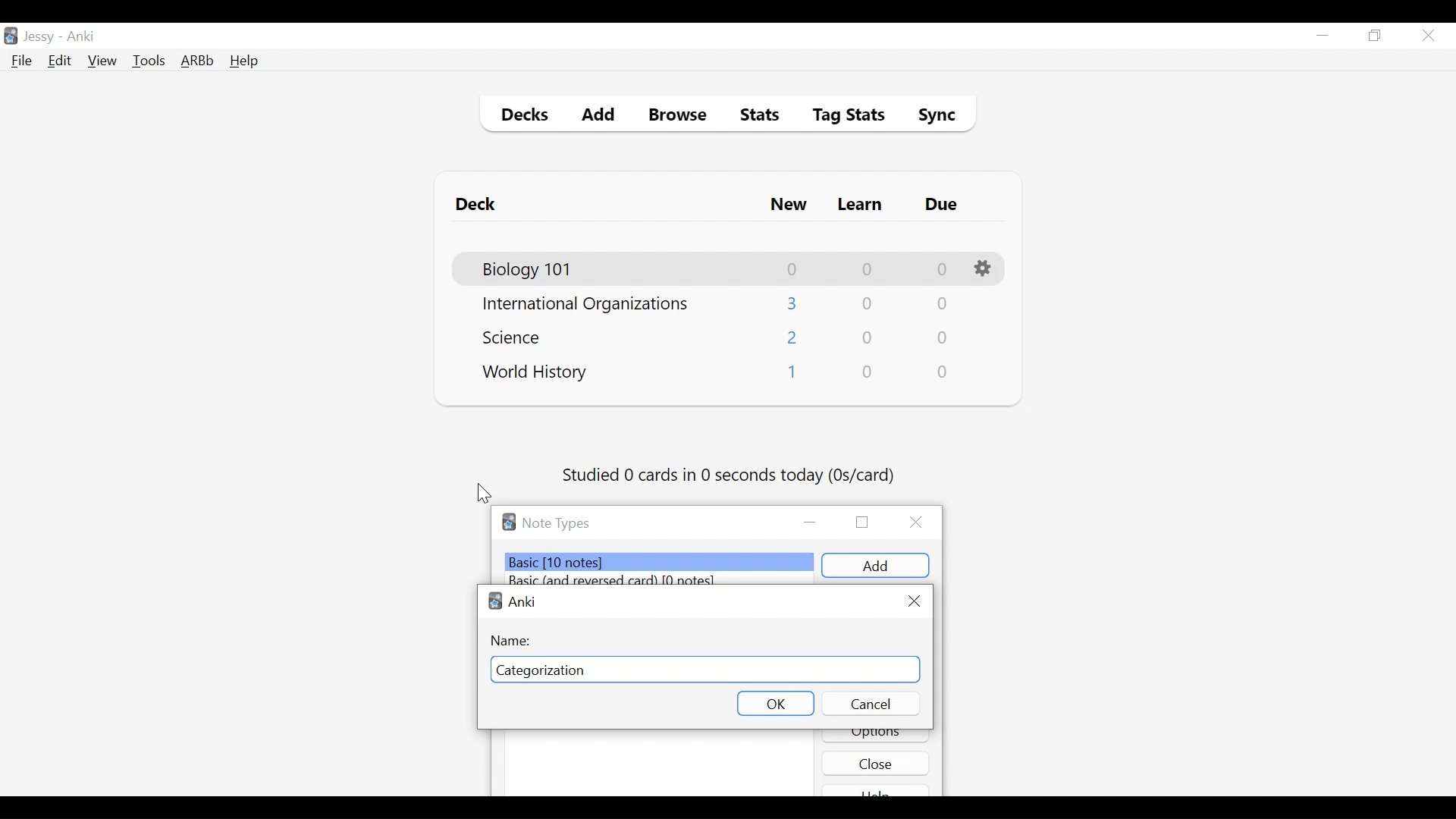  Describe the element at coordinates (985, 269) in the screenshot. I see `Options` at that location.